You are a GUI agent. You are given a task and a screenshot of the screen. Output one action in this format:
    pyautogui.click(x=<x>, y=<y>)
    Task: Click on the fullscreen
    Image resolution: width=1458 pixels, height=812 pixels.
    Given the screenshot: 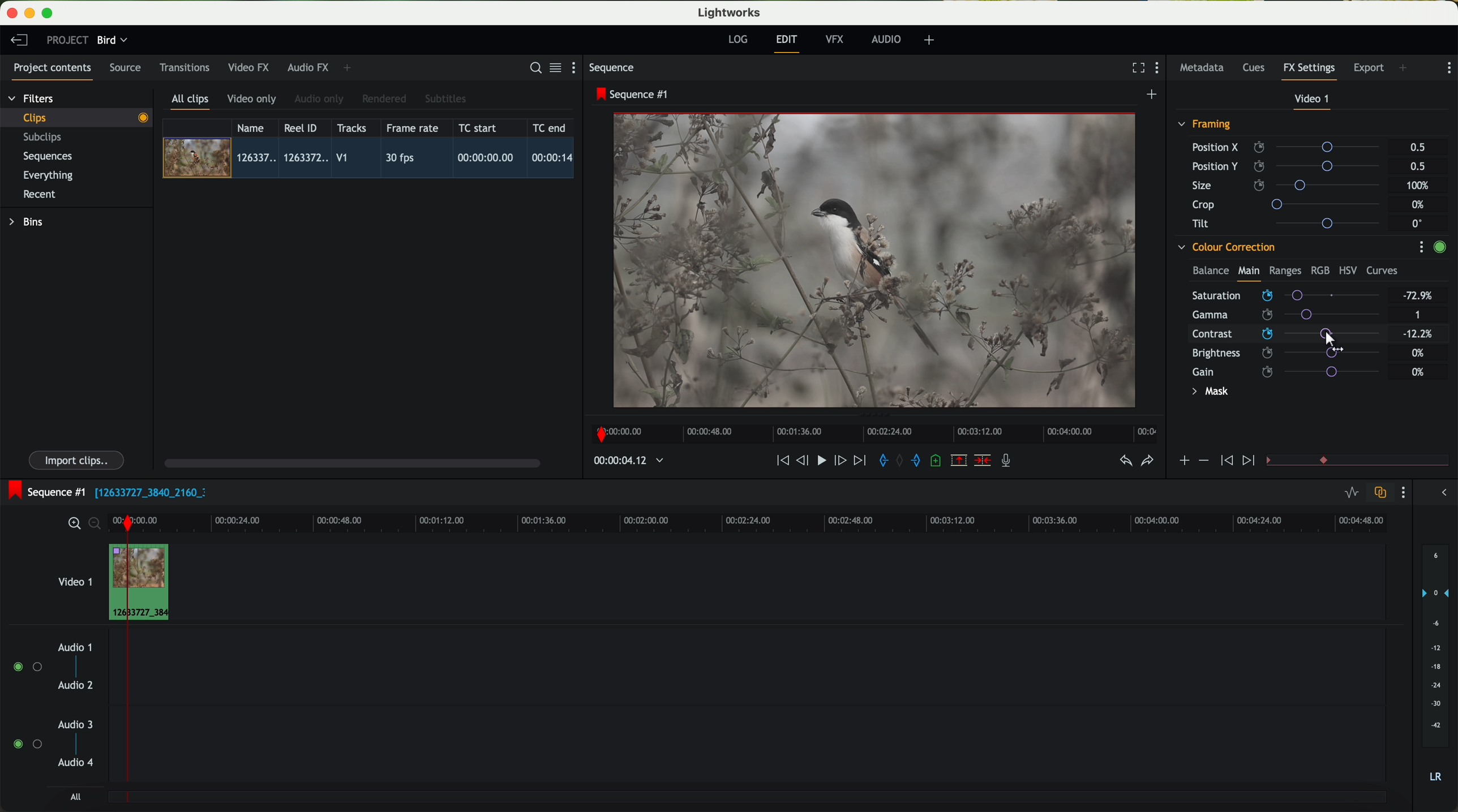 What is the action you would take?
    pyautogui.click(x=1136, y=67)
    